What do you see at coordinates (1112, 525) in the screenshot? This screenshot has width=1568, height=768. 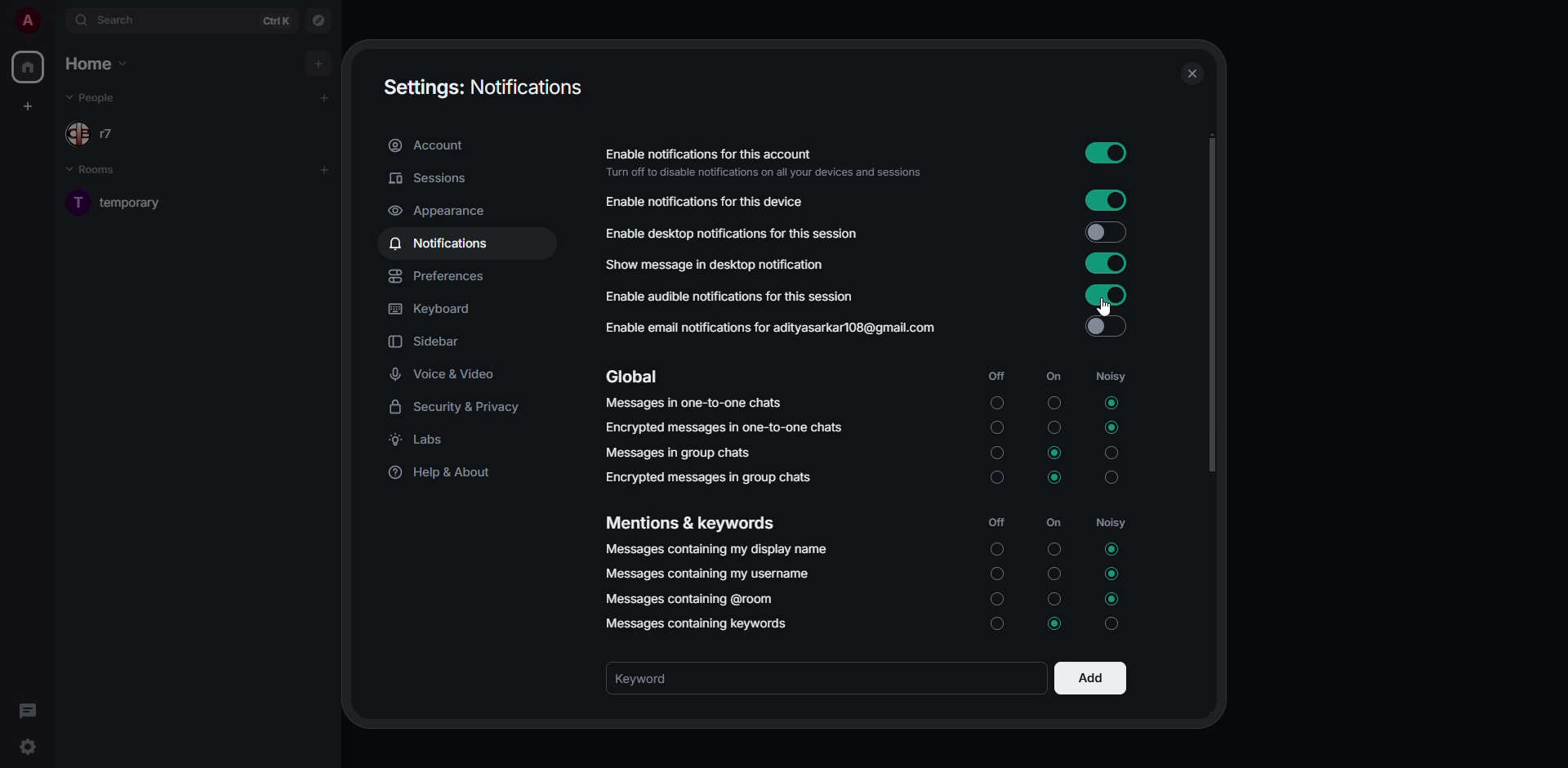 I see `noisy` at bounding box center [1112, 525].